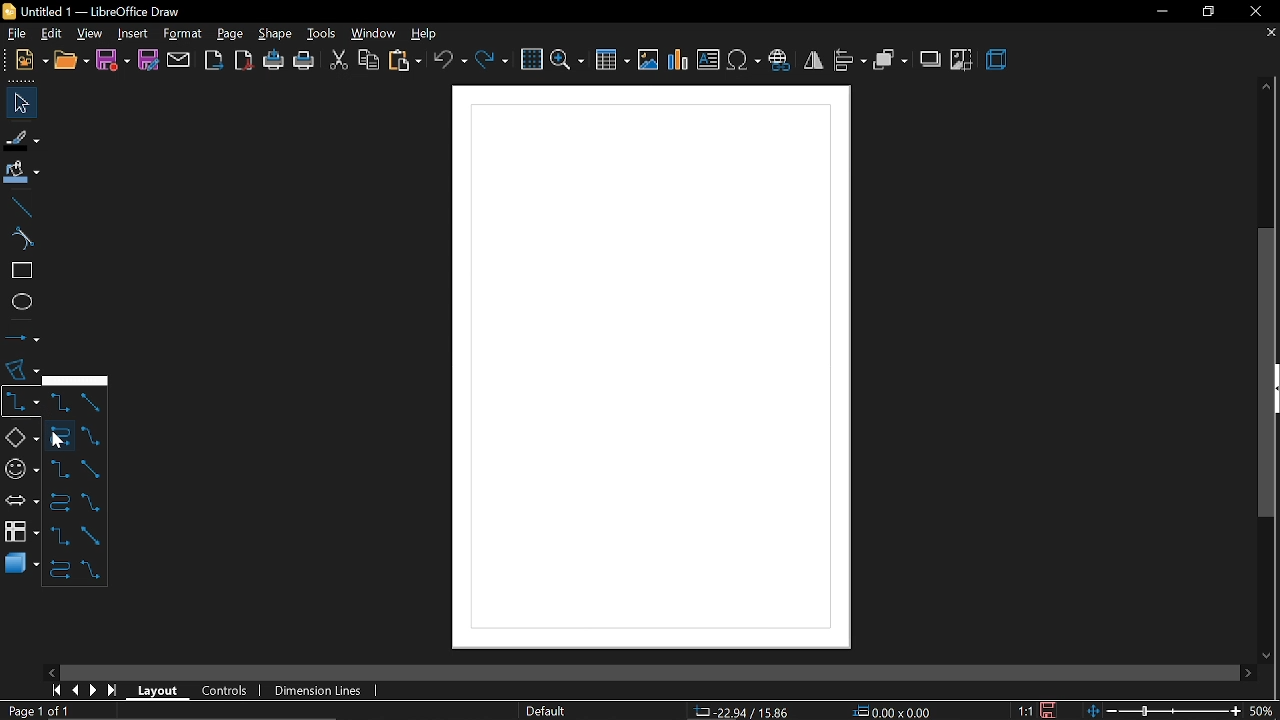 The width and height of the screenshot is (1280, 720). What do you see at coordinates (20, 239) in the screenshot?
I see `curve` at bounding box center [20, 239].